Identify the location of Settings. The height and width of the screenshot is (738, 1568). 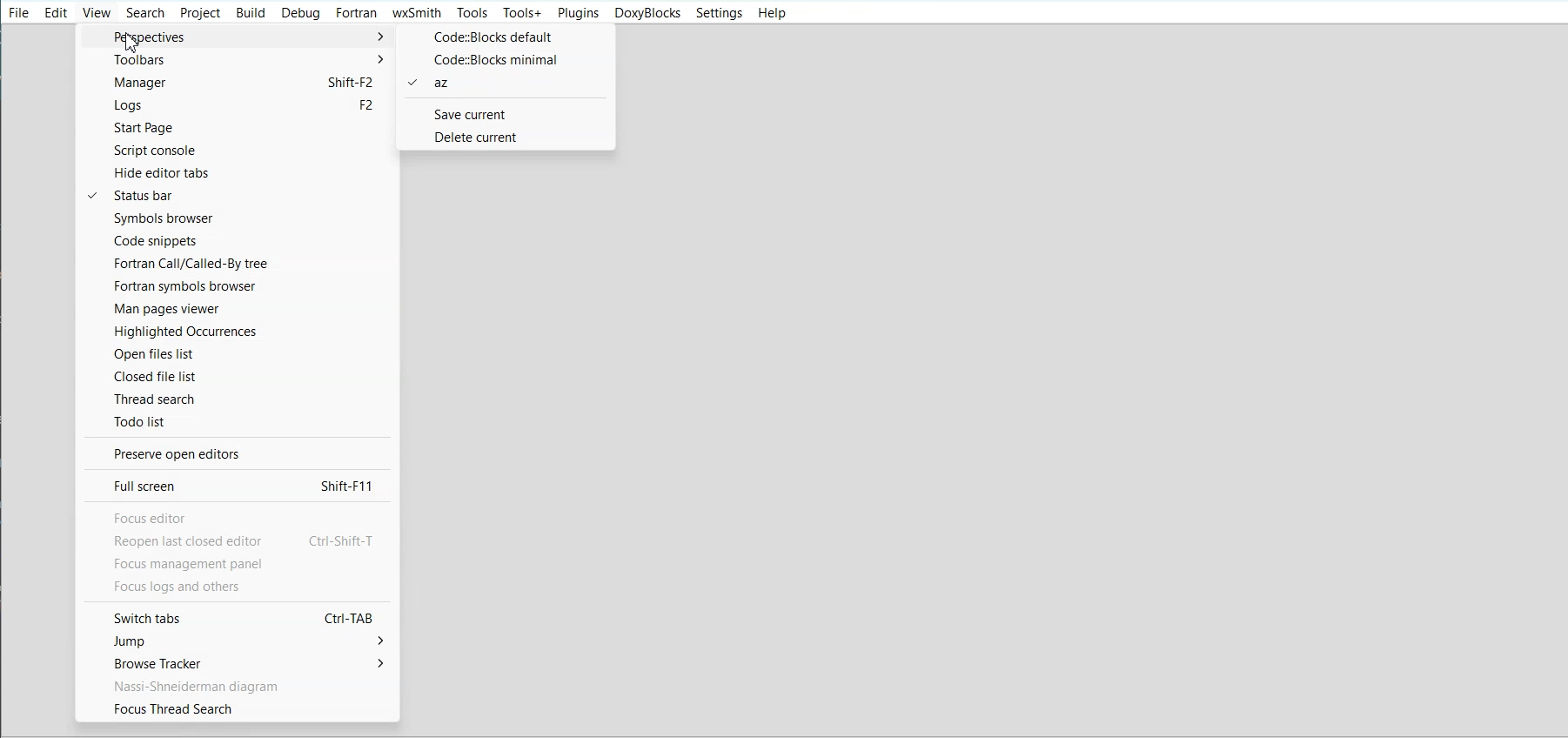
(719, 13).